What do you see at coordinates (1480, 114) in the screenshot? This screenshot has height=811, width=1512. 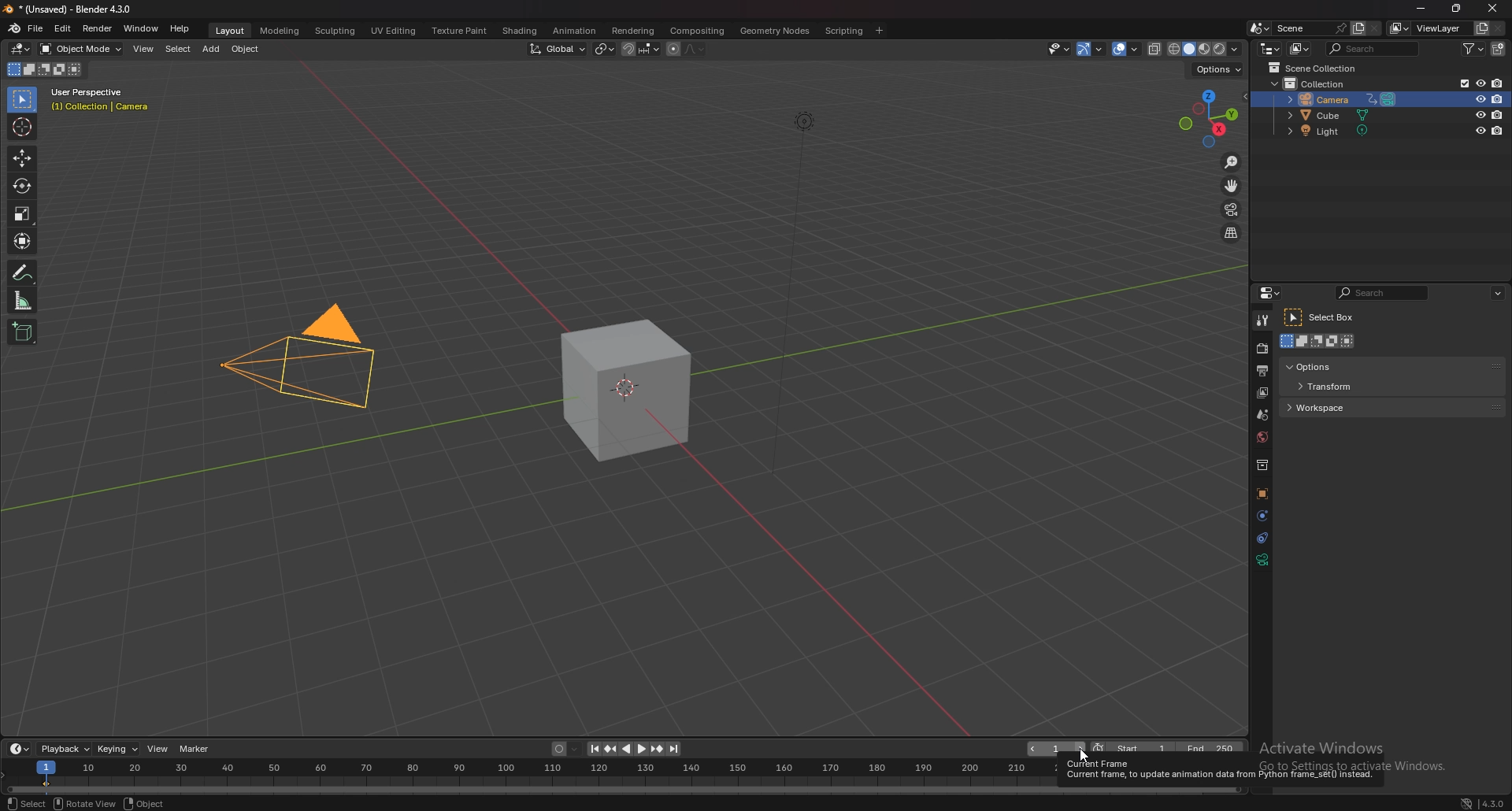 I see `hide in viewport` at bounding box center [1480, 114].